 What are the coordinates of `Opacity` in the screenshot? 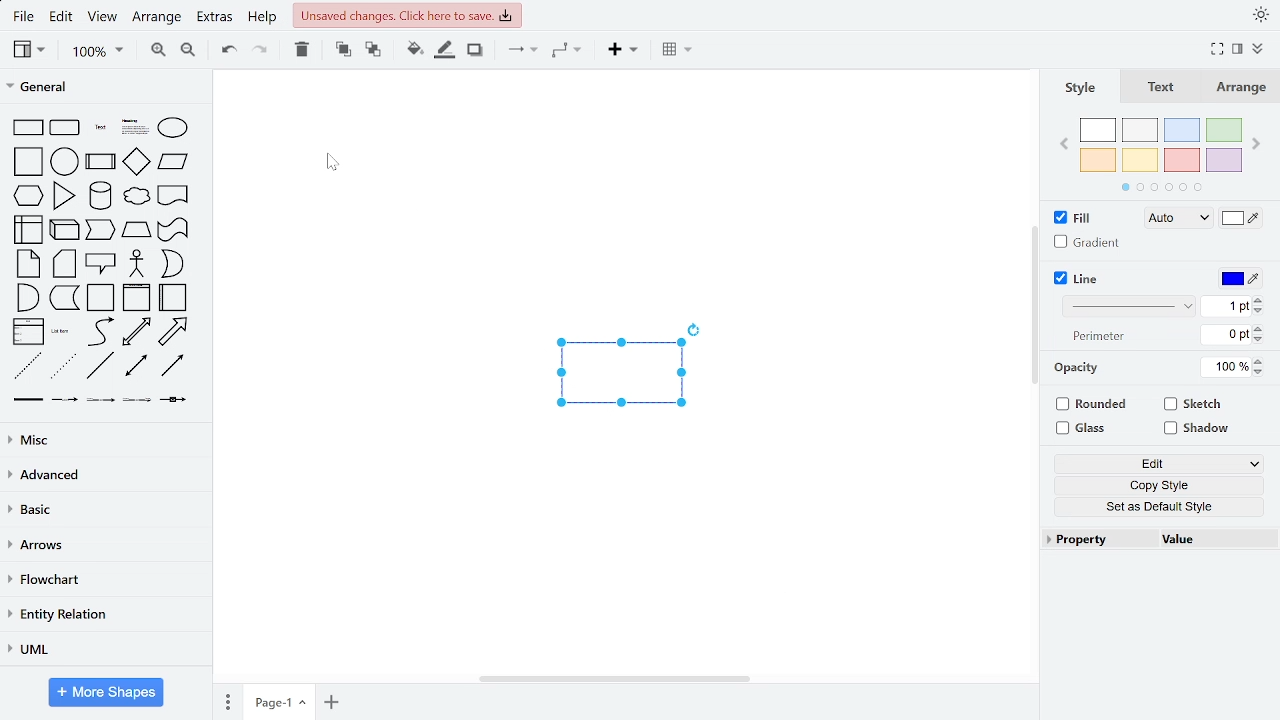 It's located at (1080, 368).